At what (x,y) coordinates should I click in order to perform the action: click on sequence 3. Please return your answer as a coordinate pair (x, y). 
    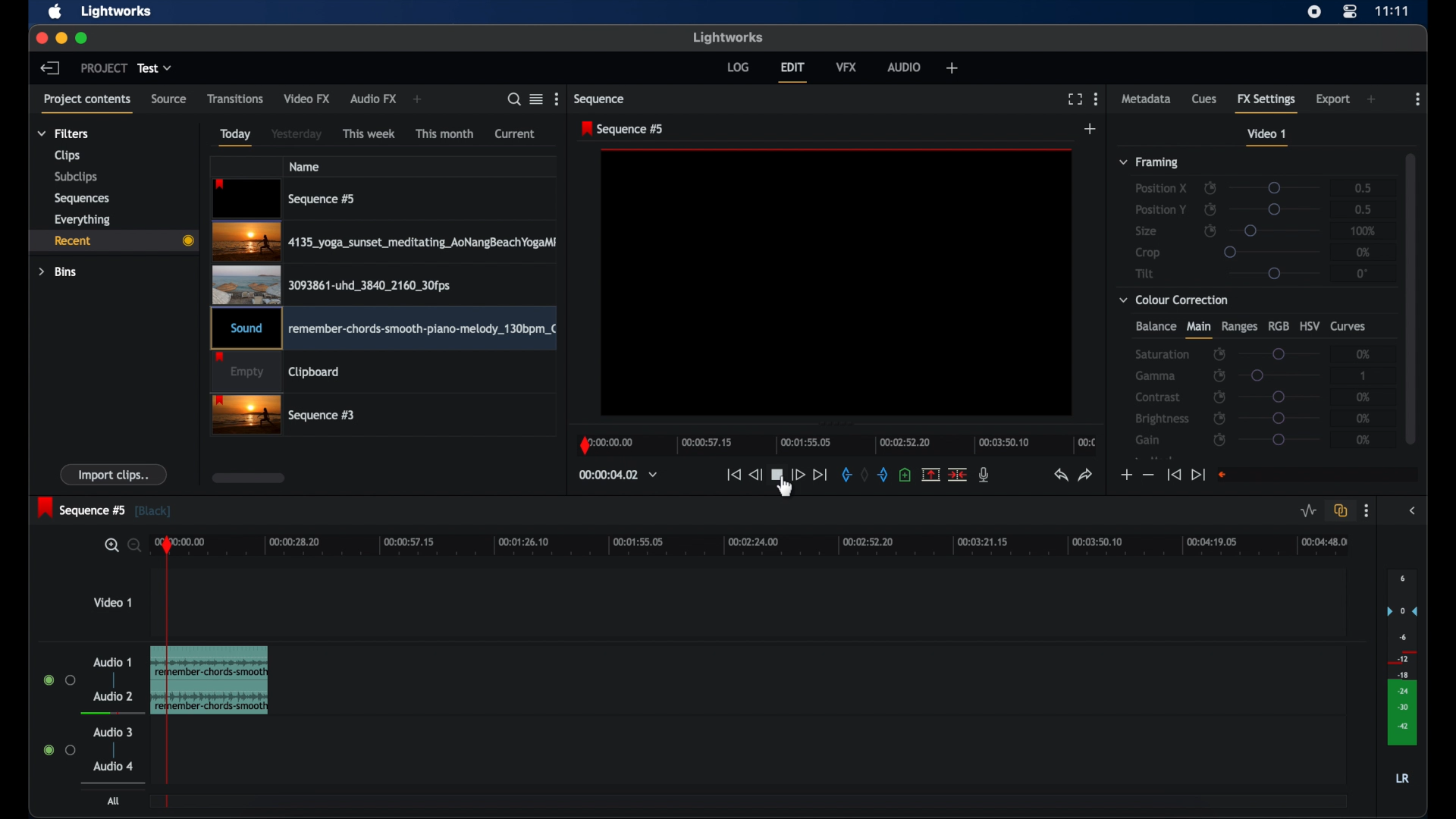
    Looking at the image, I should click on (284, 416).